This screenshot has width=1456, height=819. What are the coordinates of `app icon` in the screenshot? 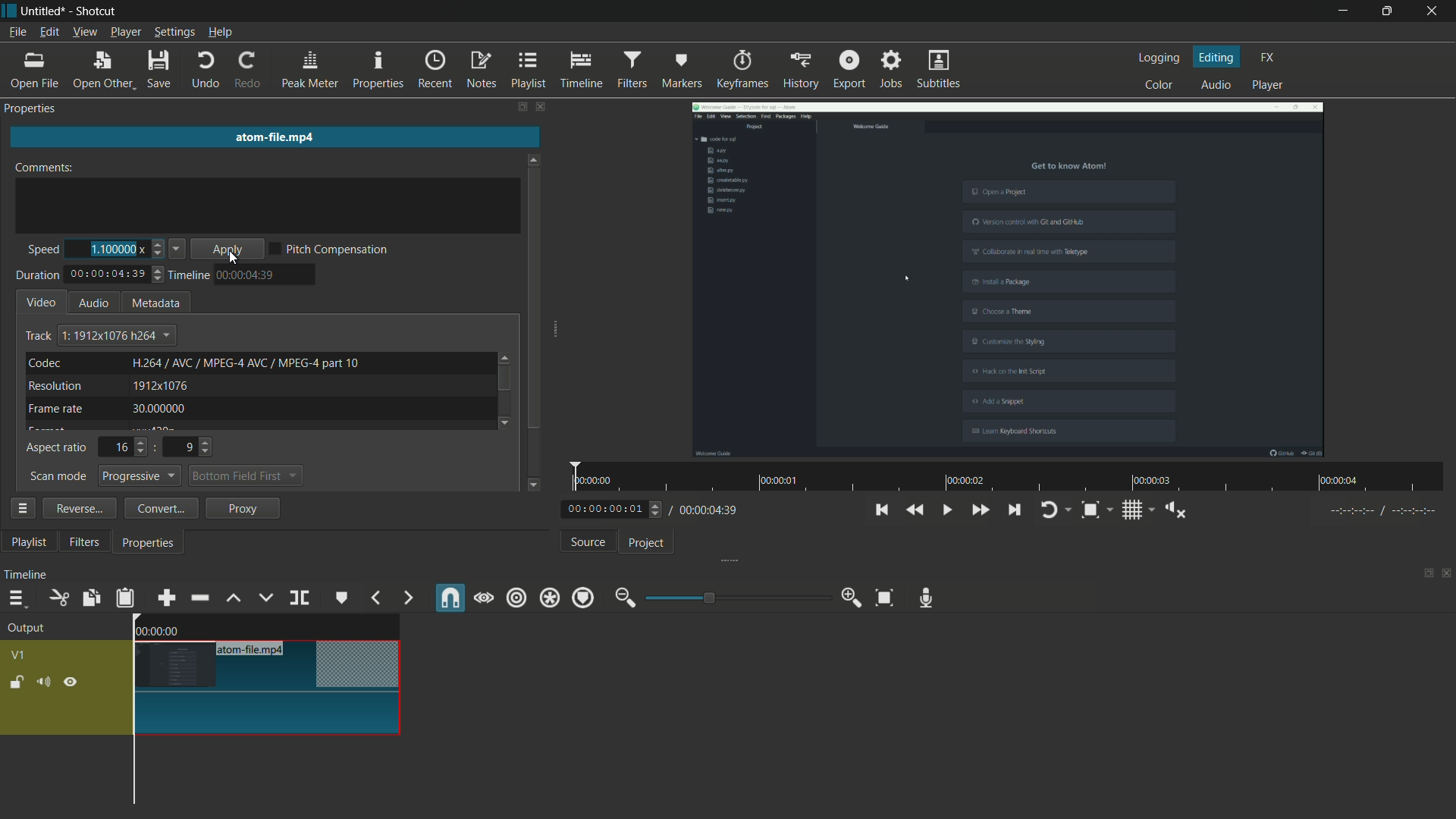 It's located at (9, 11).